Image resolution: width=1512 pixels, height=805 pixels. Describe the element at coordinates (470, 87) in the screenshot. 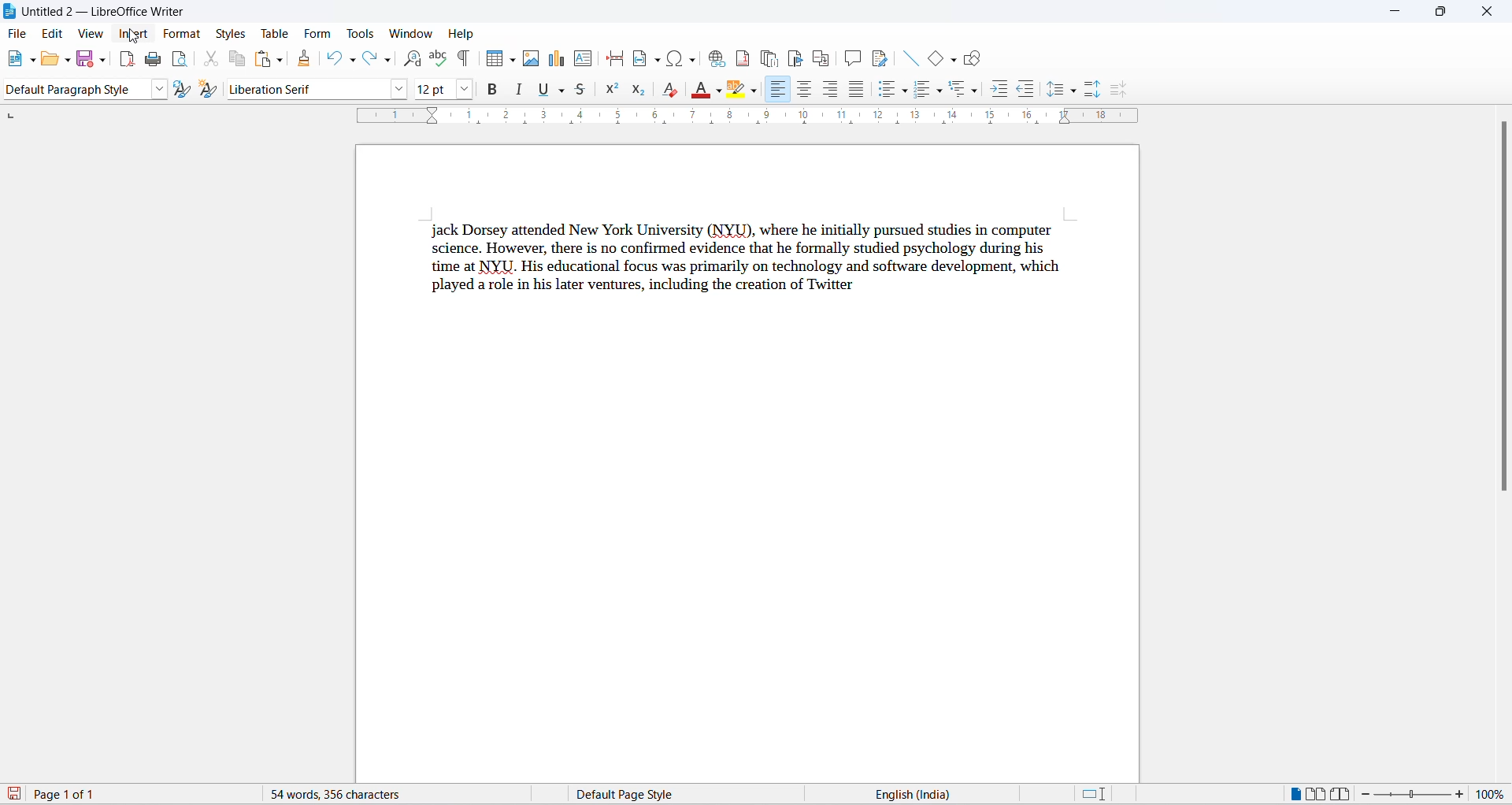

I see `font size options` at that location.